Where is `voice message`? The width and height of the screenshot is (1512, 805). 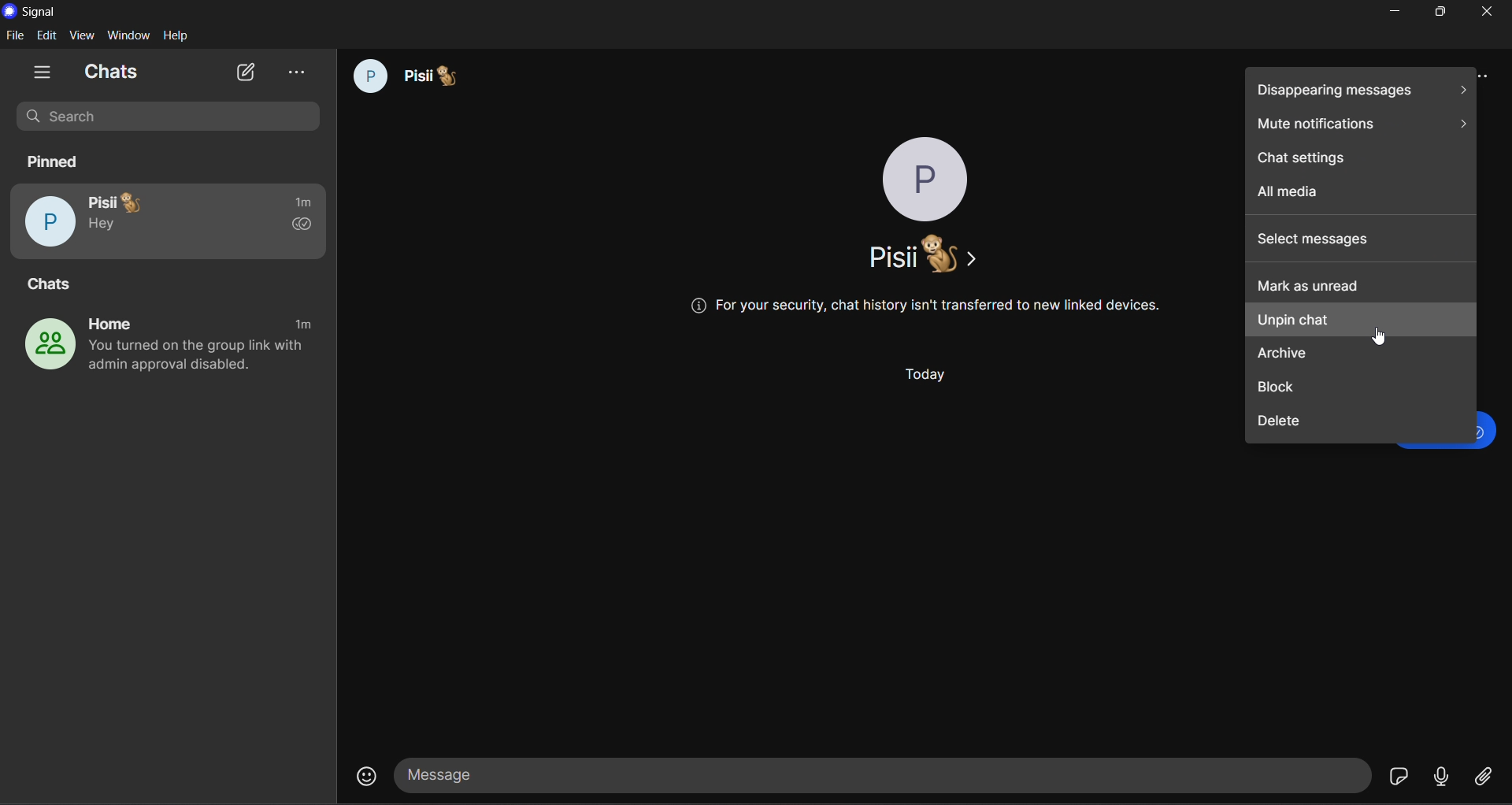 voice message is located at coordinates (1444, 773).